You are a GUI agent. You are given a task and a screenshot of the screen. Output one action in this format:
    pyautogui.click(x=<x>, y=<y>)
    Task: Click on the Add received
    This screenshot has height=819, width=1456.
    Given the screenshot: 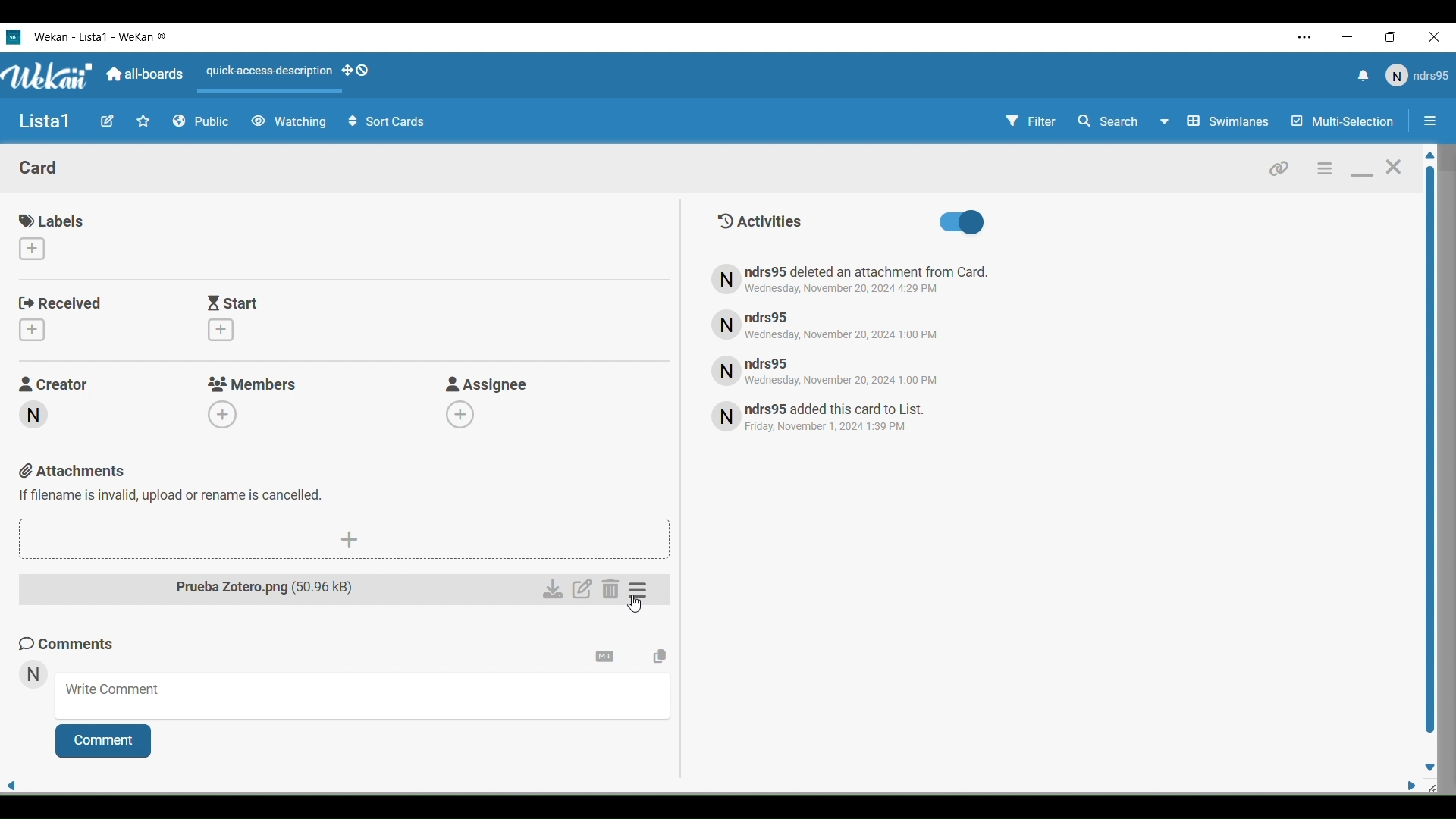 What is the action you would take?
    pyautogui.click(x=31, y=330)
    